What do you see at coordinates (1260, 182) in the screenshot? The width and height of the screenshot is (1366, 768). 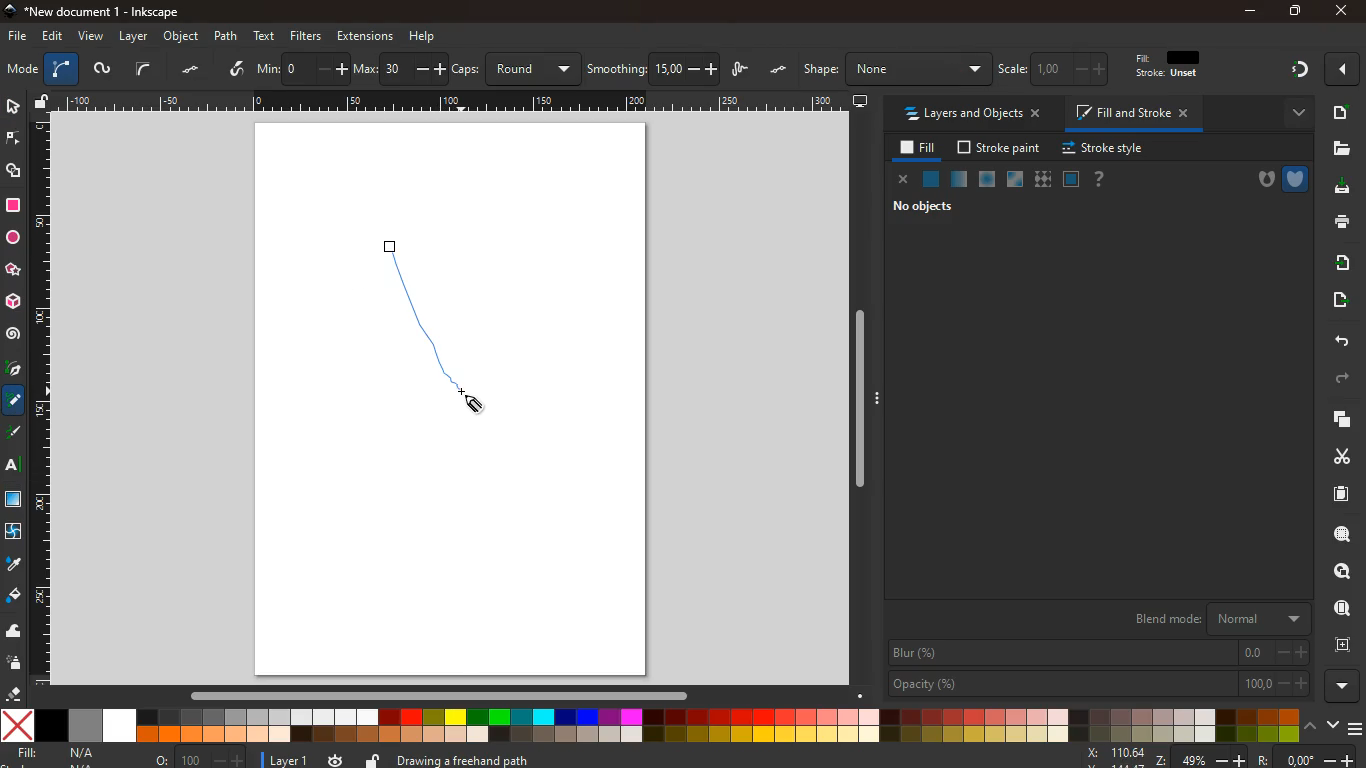 I see `hole` at bounding box center [1260, 182].